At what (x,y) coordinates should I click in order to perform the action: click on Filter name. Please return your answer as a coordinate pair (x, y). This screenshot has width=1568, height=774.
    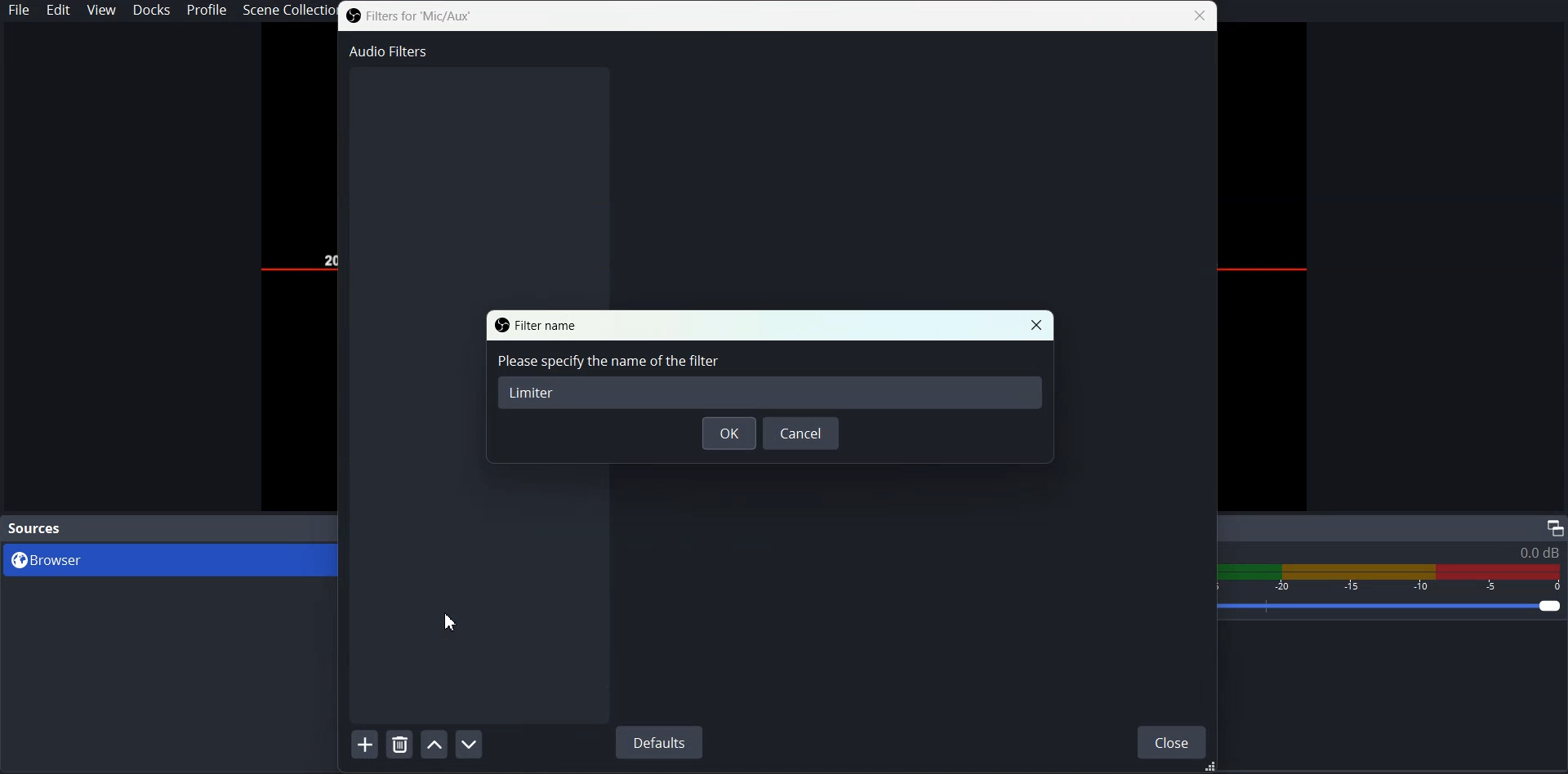
    Looking at the image, I should click on (537, 324).